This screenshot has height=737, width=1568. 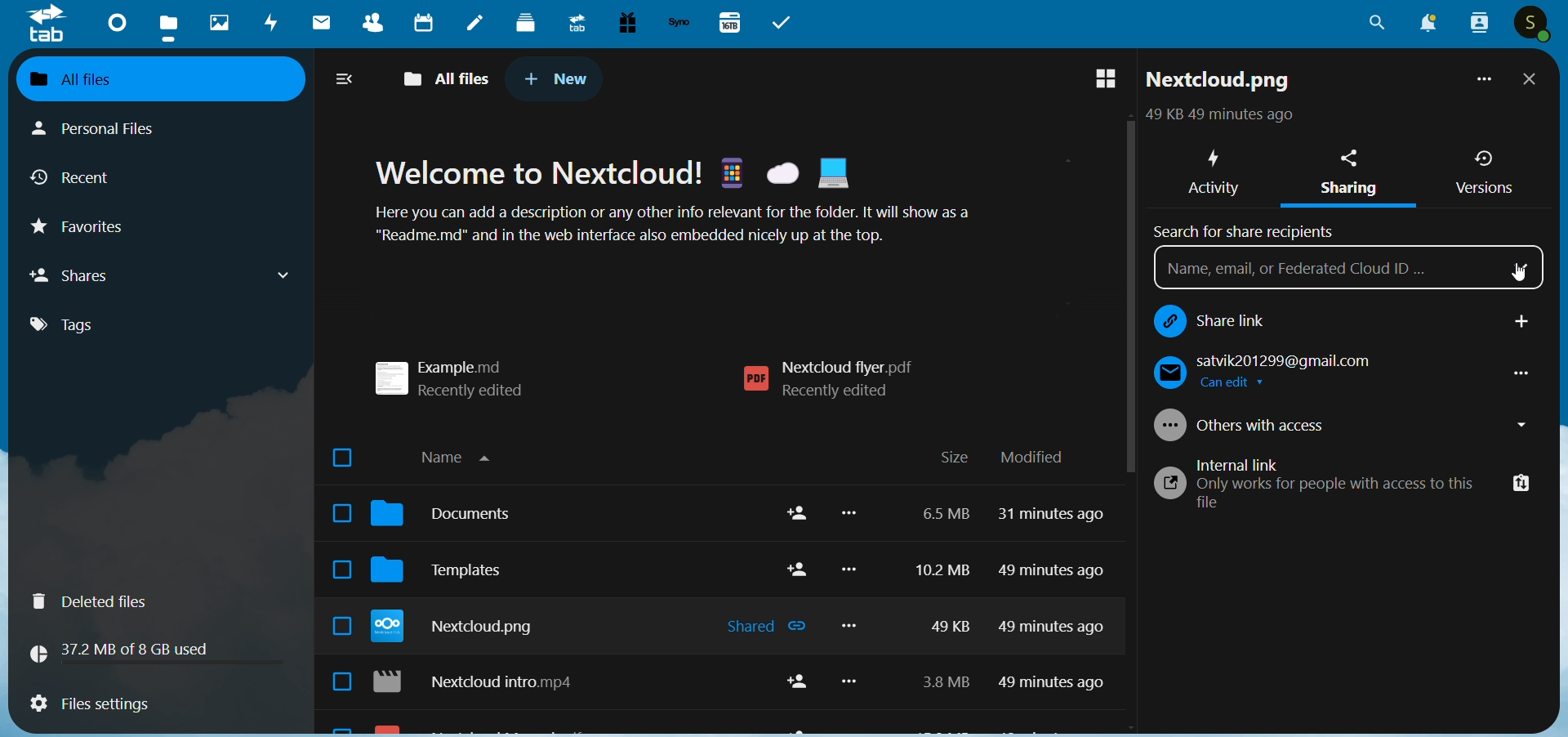 What do you see at coordinates (853, 607) in the screenshot?
I see `more` at bounding box center [853, 607].